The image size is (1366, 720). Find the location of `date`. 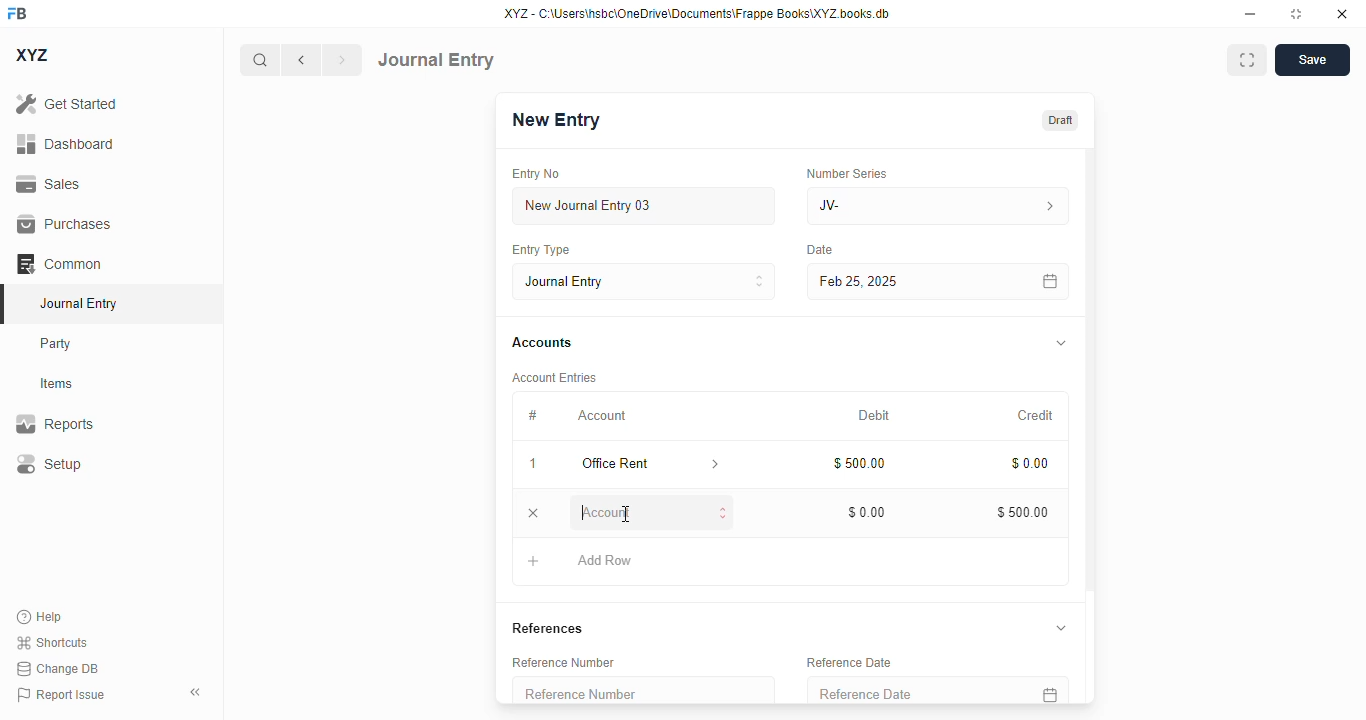

date is located at coordinates (821, 250).